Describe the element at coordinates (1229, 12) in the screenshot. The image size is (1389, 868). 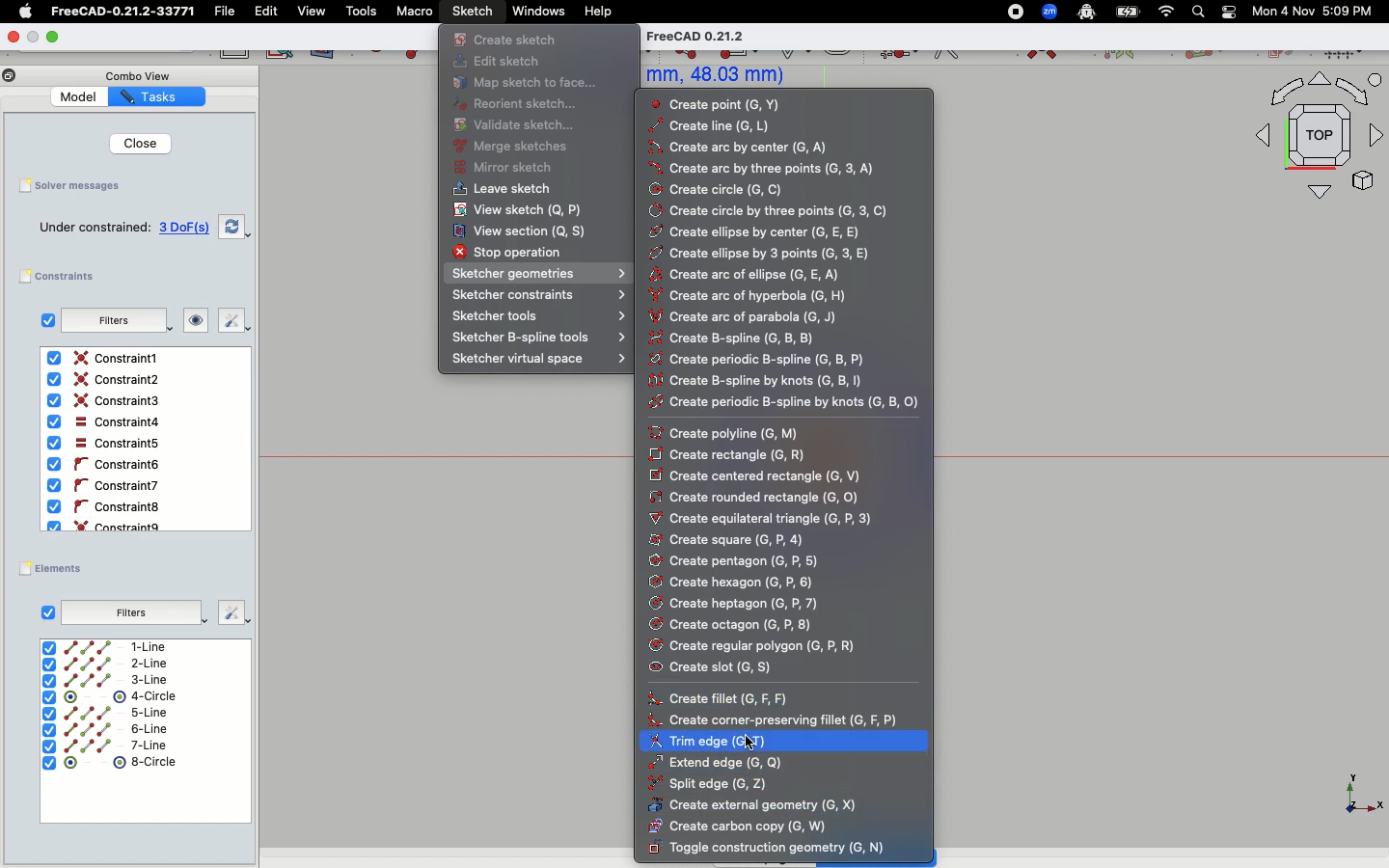
I see `Toggle` at that location.